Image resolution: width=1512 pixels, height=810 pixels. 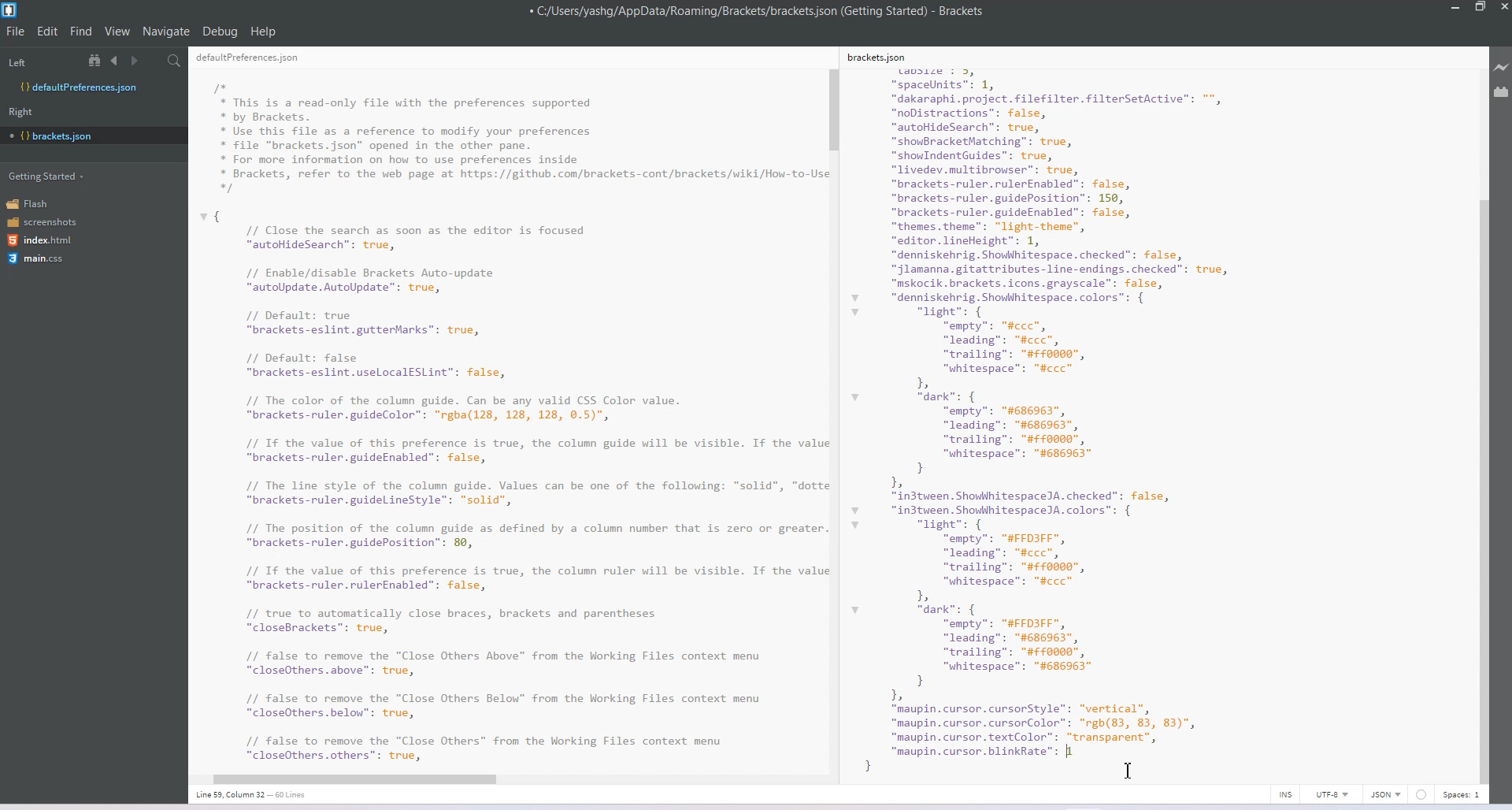 I want to click on Live Preview, so click(x=1502, y=68).